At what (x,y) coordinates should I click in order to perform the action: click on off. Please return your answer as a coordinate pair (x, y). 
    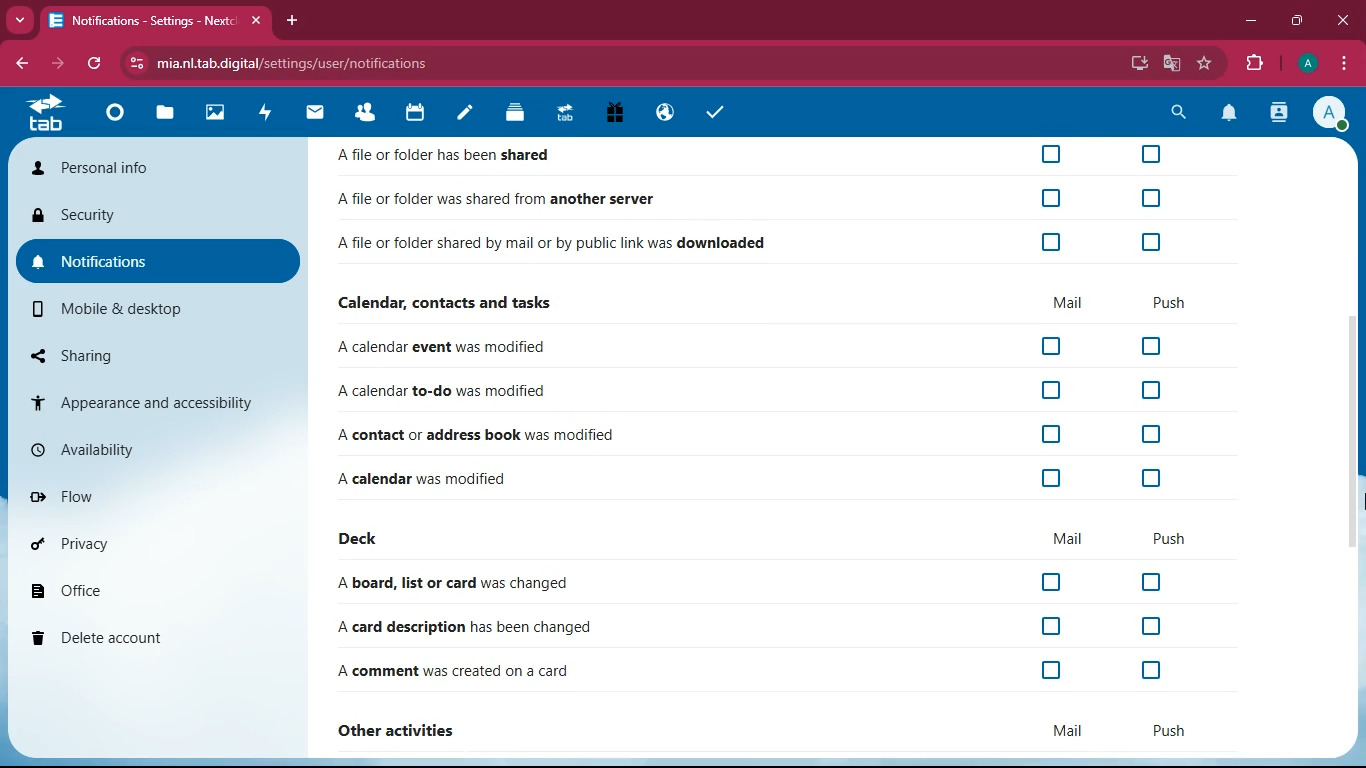
    Looking at the image, I should click on (1149, 627).